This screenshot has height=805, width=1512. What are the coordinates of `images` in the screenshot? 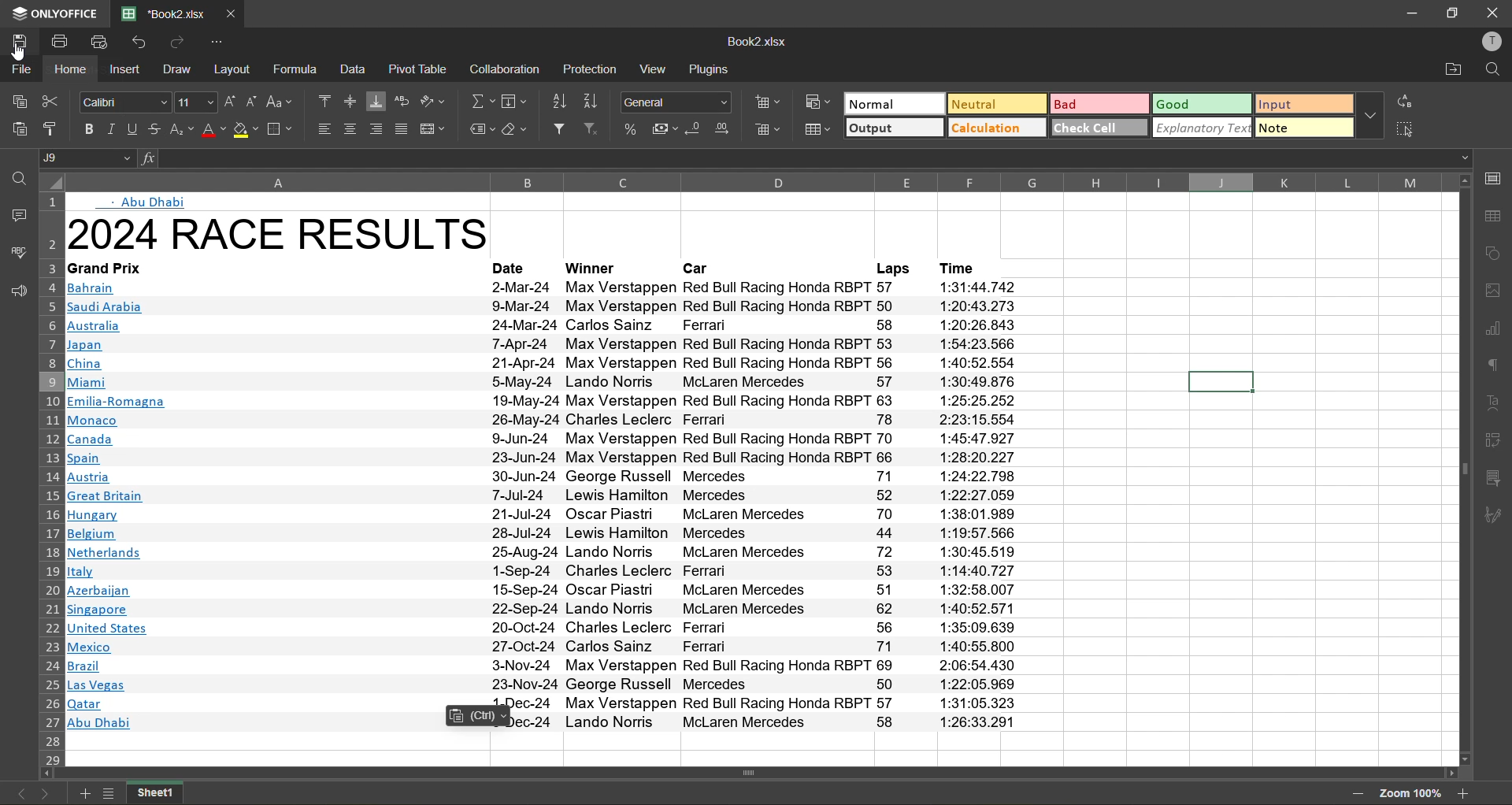 It's located at (1493, 292).